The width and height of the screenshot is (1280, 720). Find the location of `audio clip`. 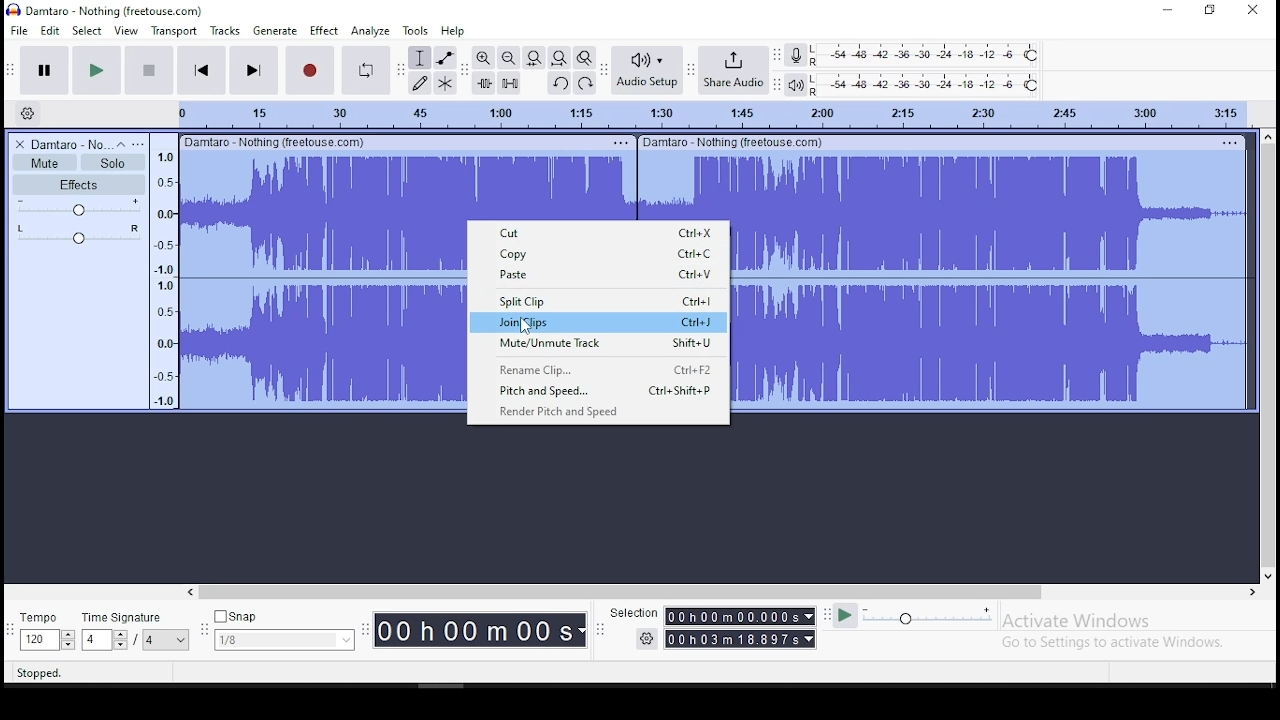

audio clip is located at coordinates (991, 279).